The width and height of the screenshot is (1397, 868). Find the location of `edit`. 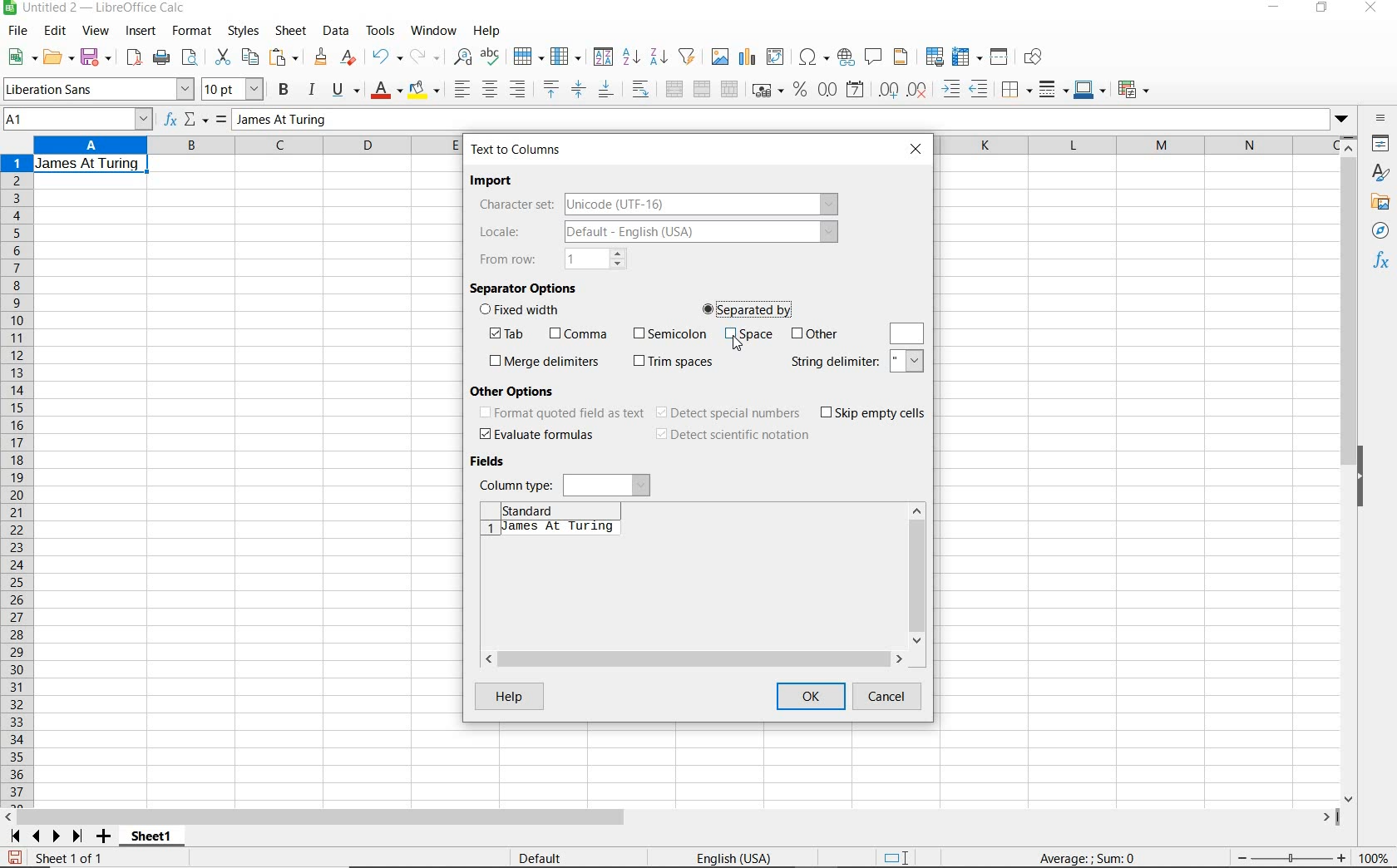

edit is located at coordinates (57, 32).